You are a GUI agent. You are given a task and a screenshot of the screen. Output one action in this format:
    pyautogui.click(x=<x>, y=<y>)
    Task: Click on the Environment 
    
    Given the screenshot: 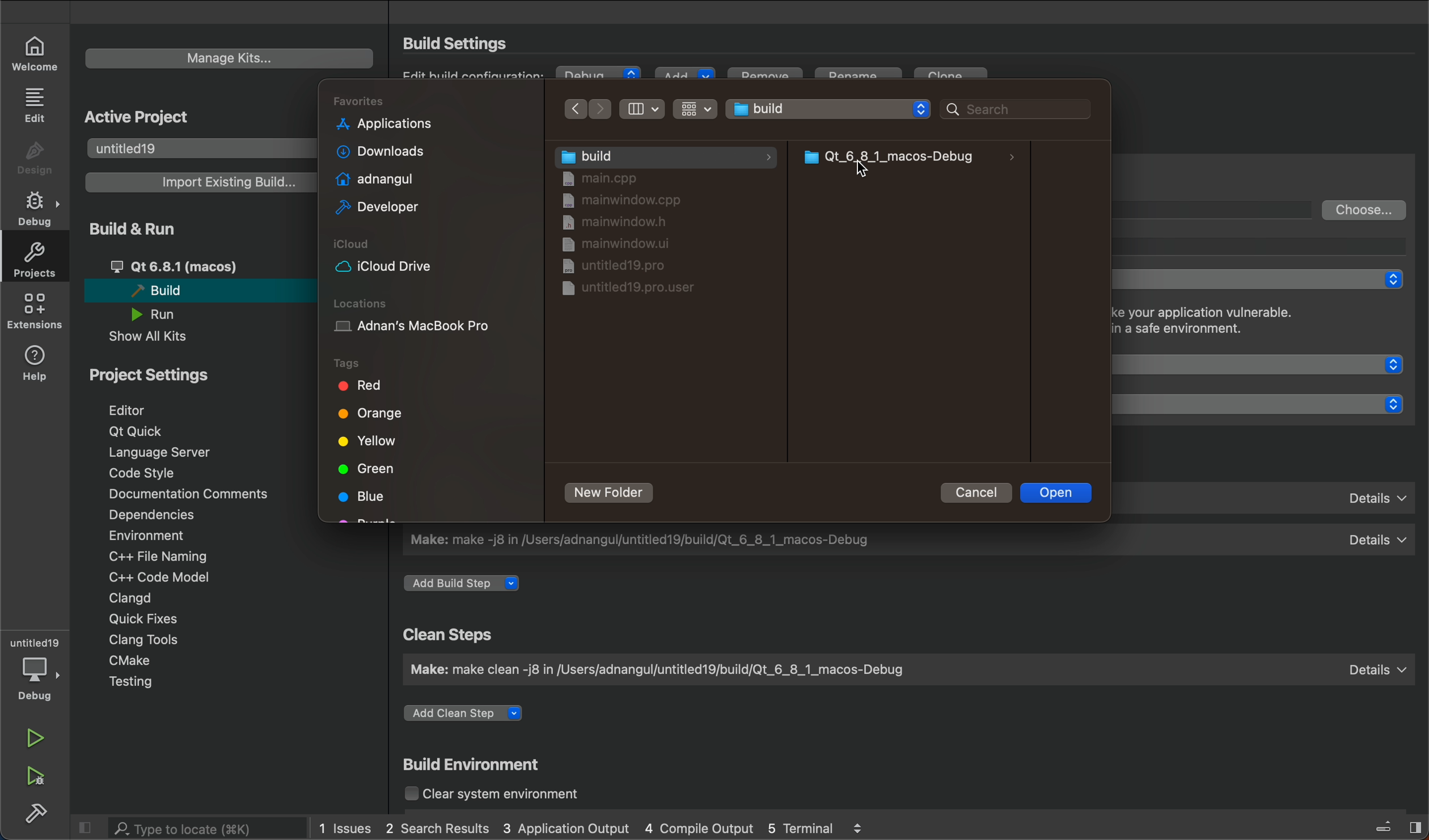 What is the action you would take?
    pyautogui.click(x=162, y=535)
    